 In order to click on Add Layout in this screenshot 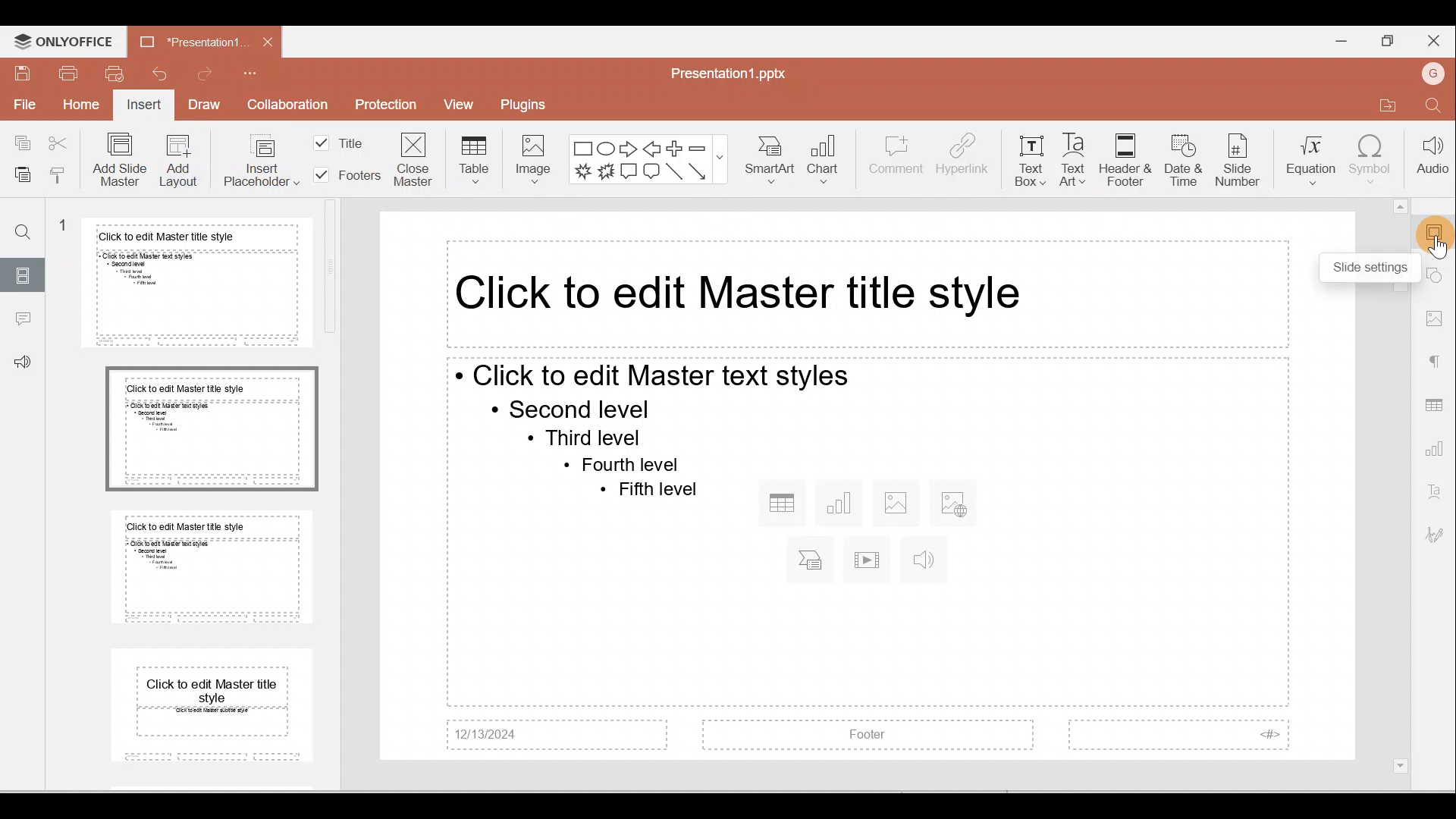, I will do `click(179, 160)`.